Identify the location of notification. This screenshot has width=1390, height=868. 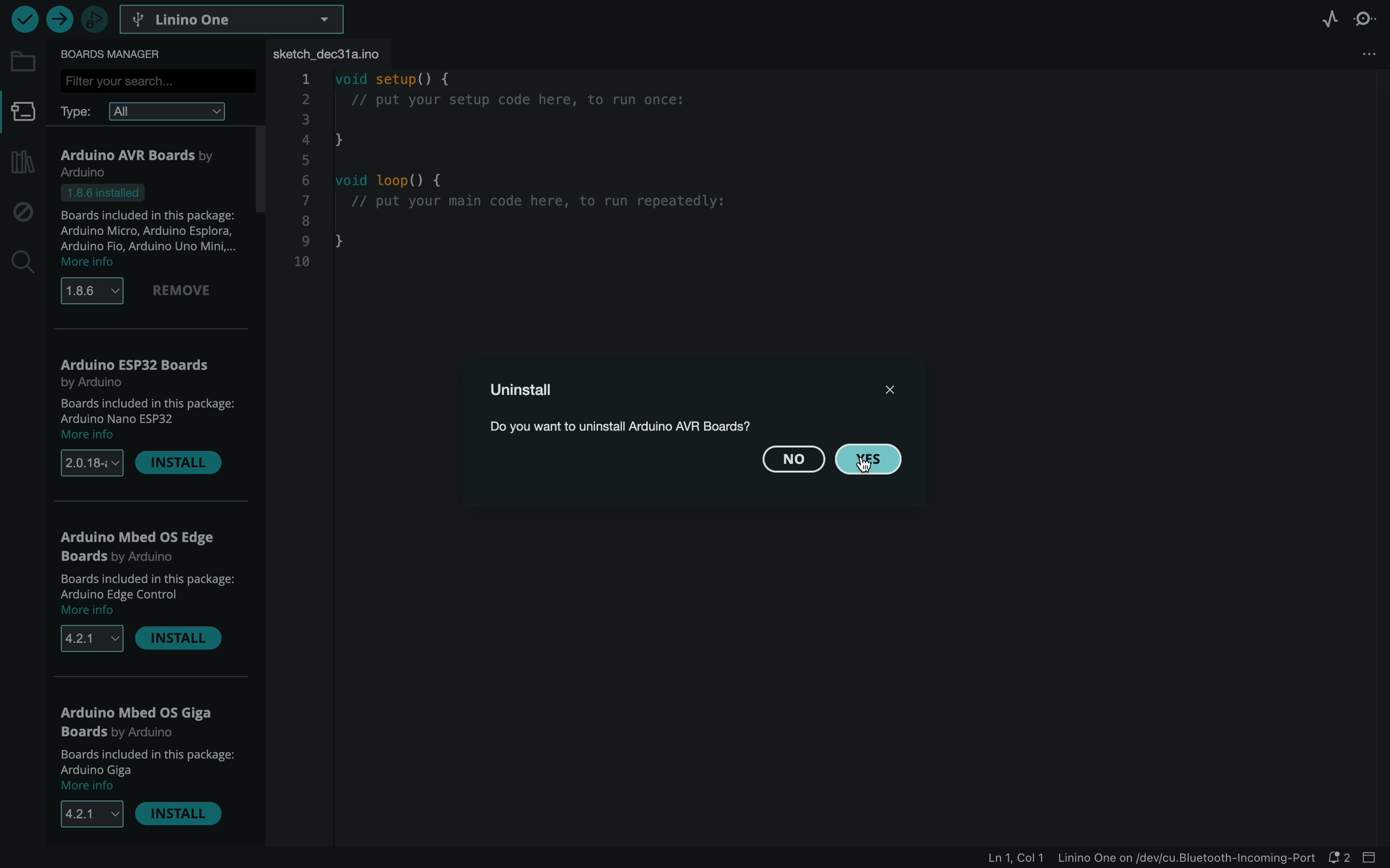
(1343, 858).